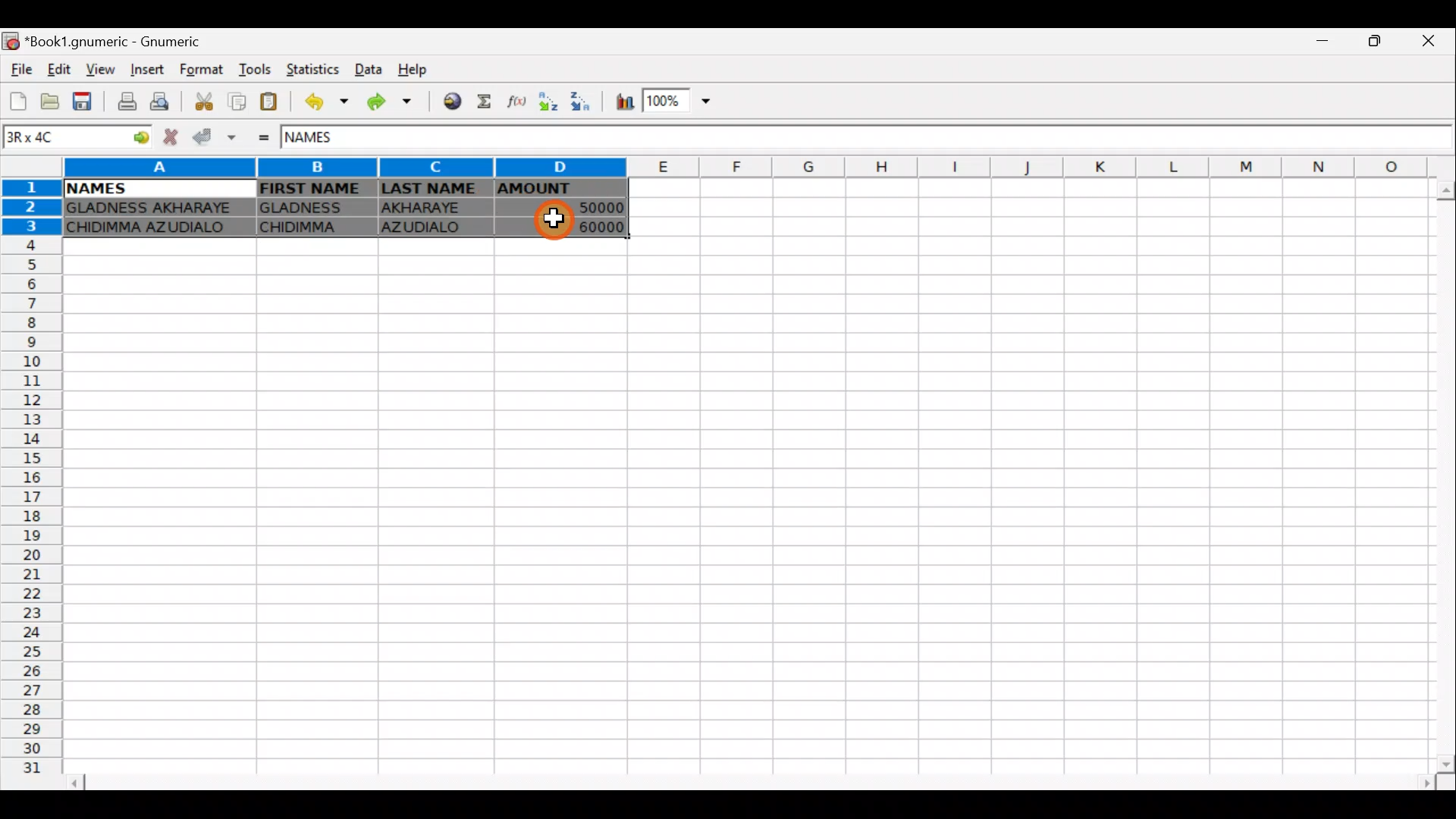 This screenshot has width=1456, height=819. What do you see at coordinates (434, 210) in the screenshot?
I see `AKHARAYE` at bounding box center [434, 210].